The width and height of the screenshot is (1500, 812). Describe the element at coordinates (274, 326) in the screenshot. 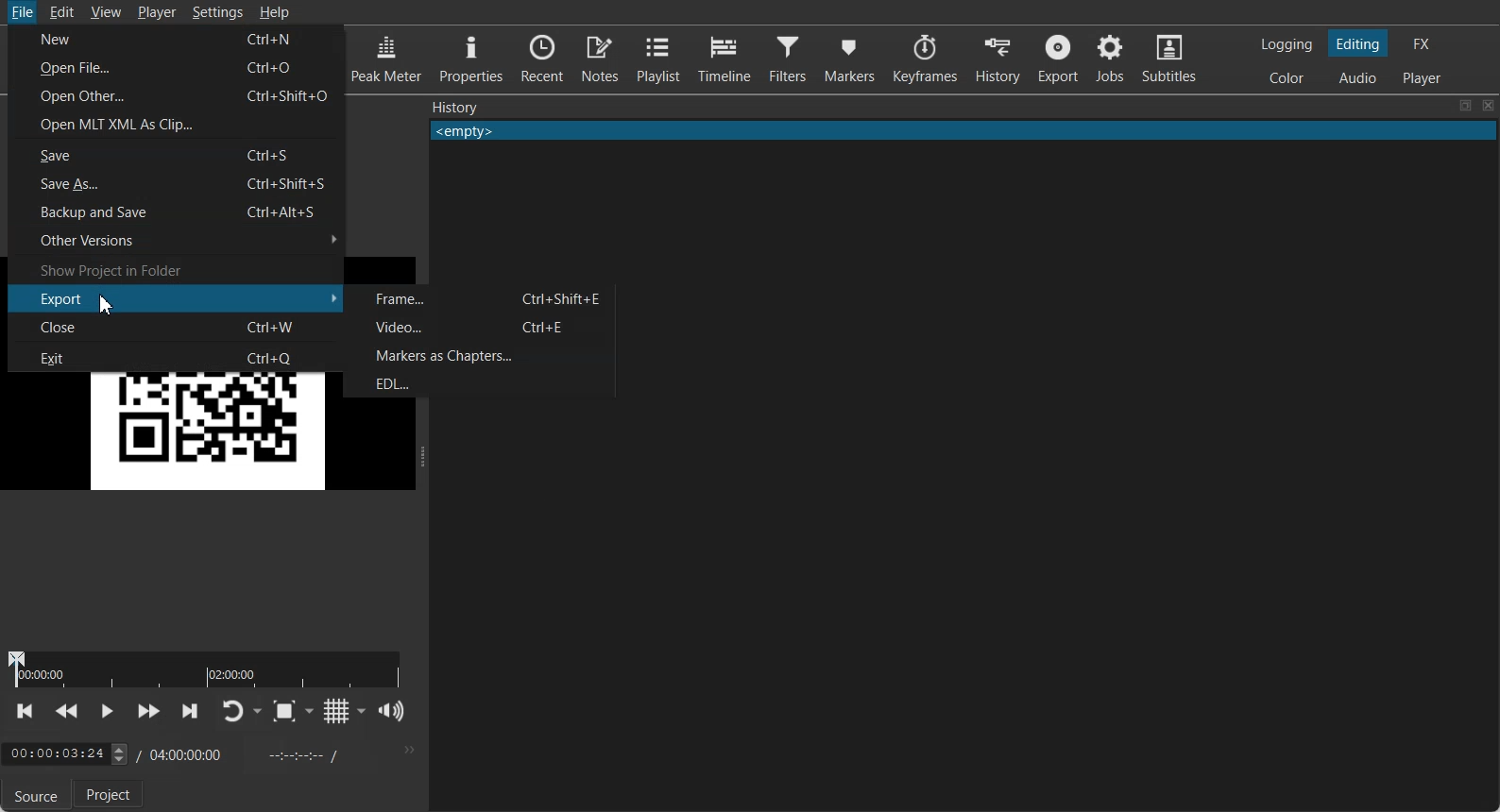

I see `Ctrl+W` at that location.